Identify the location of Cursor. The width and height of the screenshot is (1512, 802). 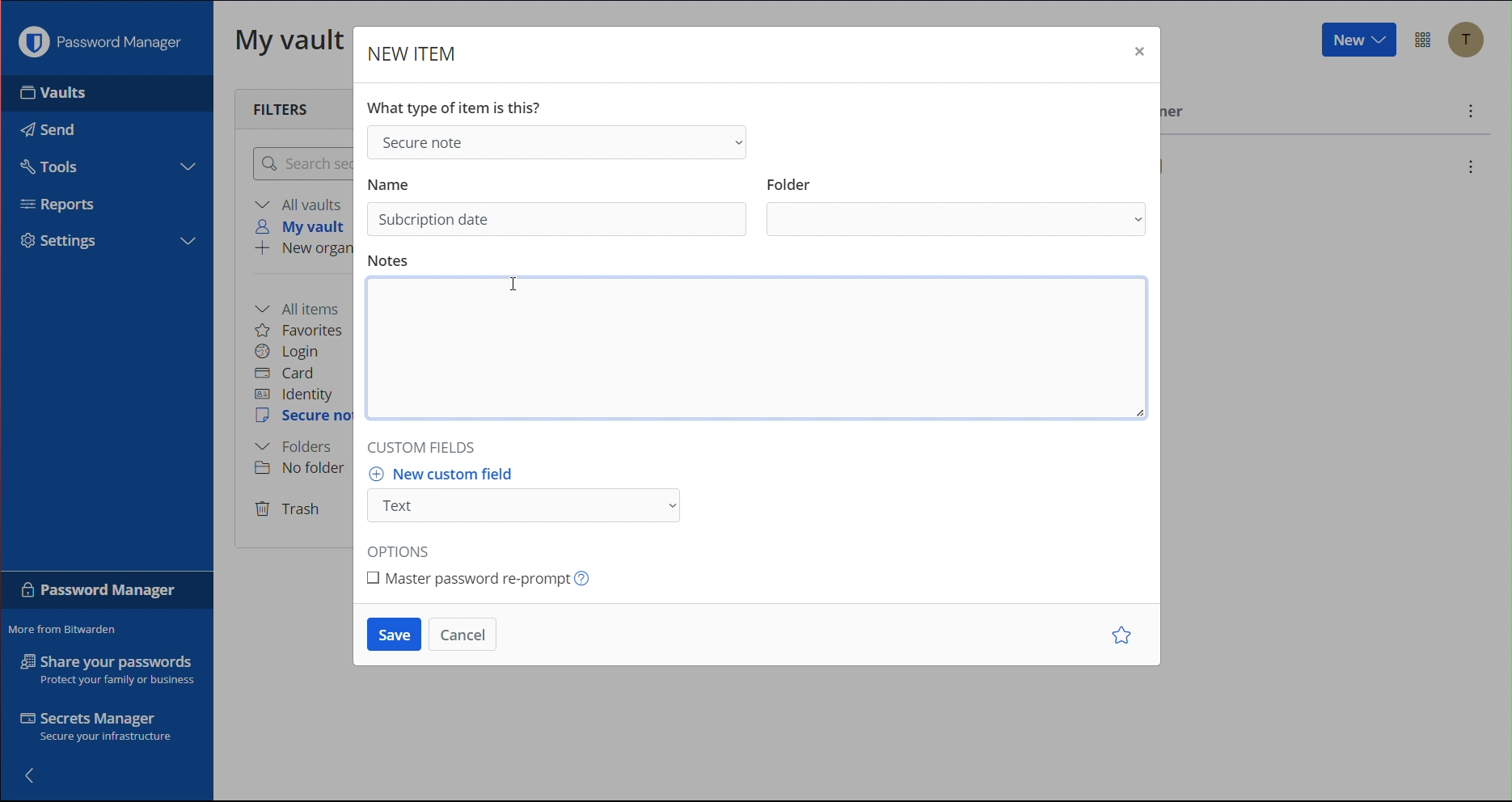
(519, 283).